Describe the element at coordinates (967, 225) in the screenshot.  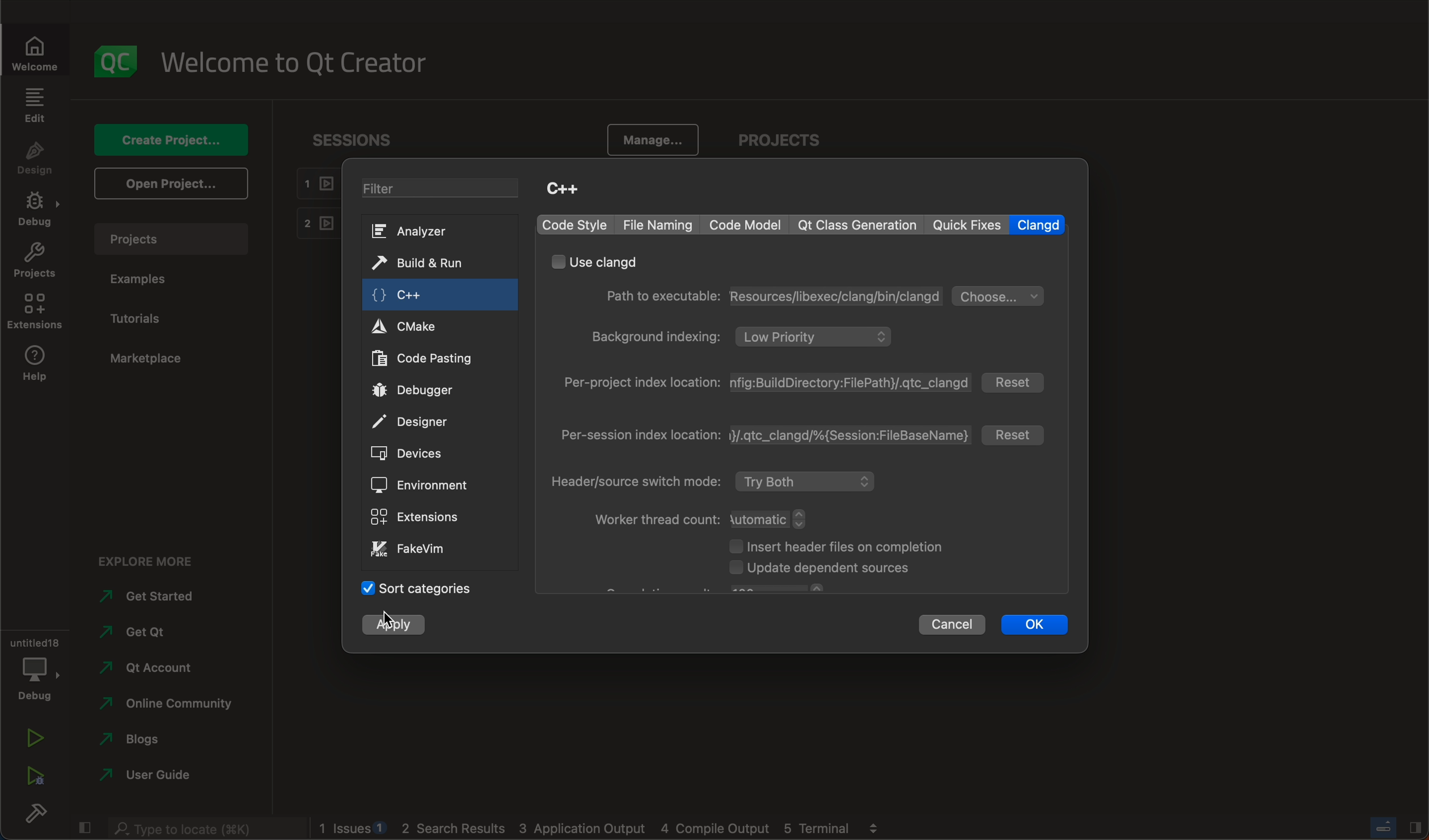
I see `fixes` at that location.